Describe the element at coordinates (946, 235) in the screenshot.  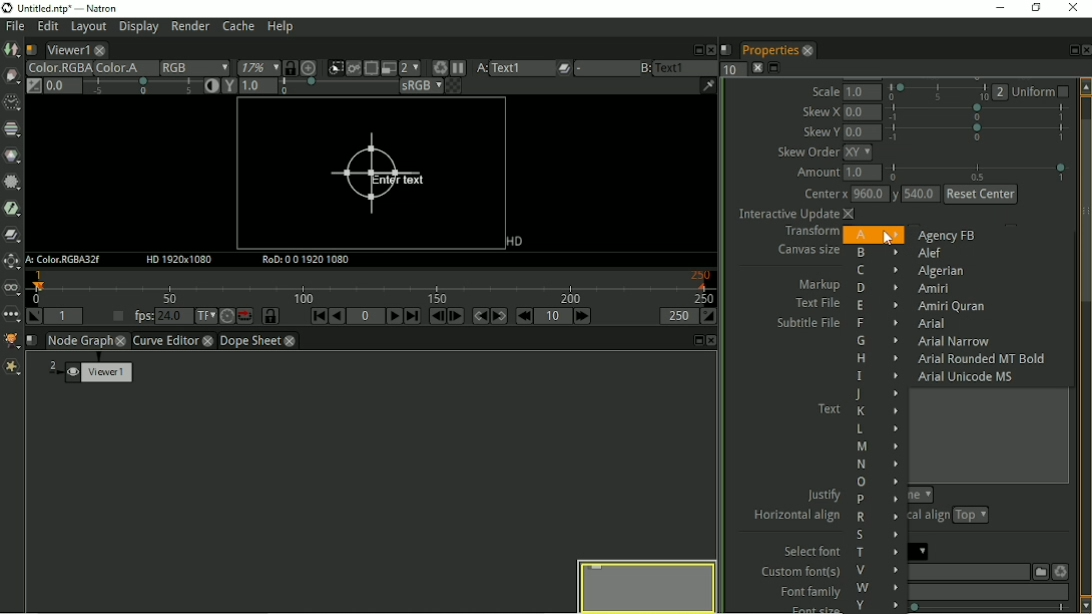
I see `Agency FB` at that location.